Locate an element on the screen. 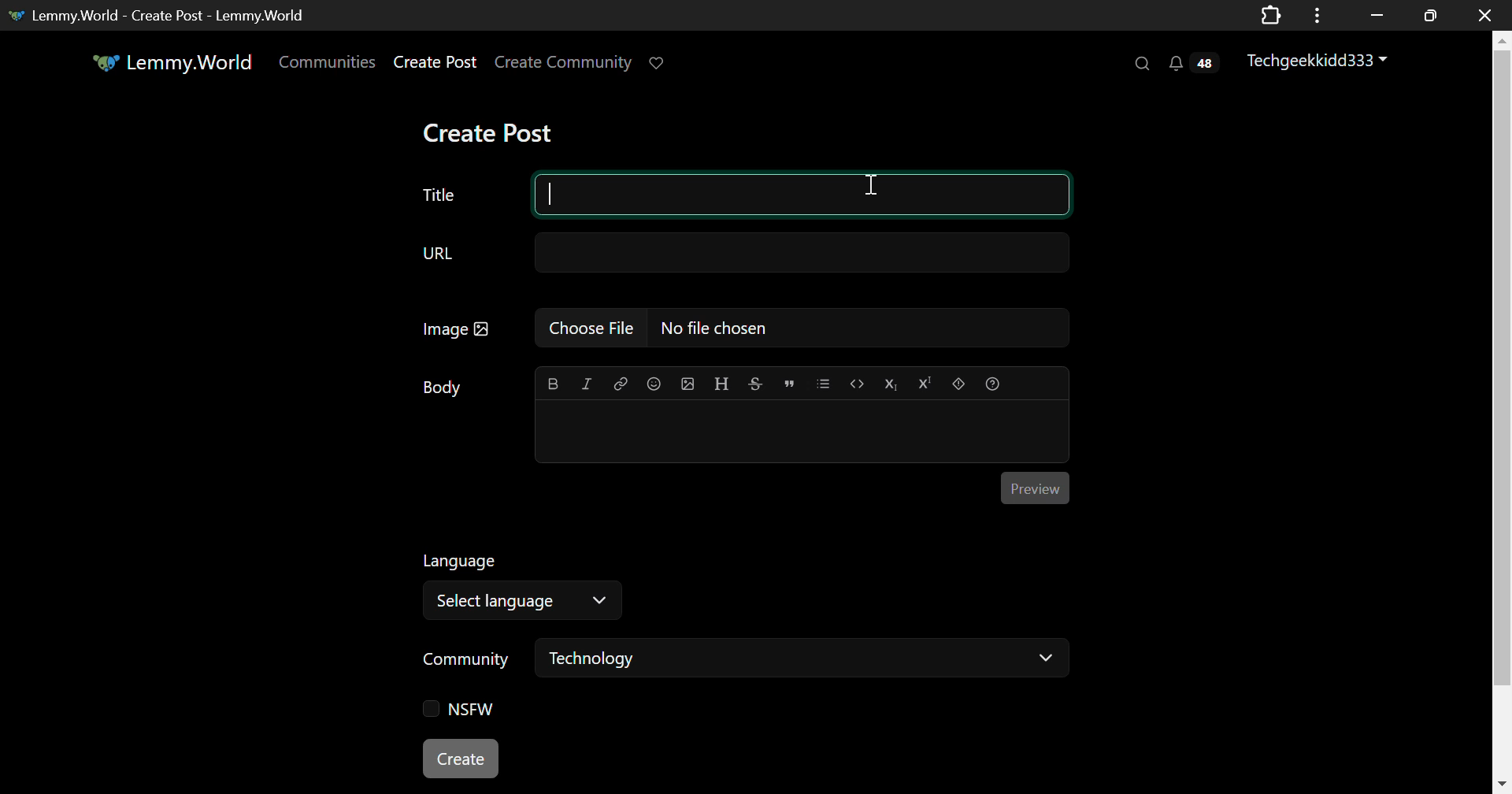 This screenshot has width=1512, height=794. Body is located at coordinates (441, 388).